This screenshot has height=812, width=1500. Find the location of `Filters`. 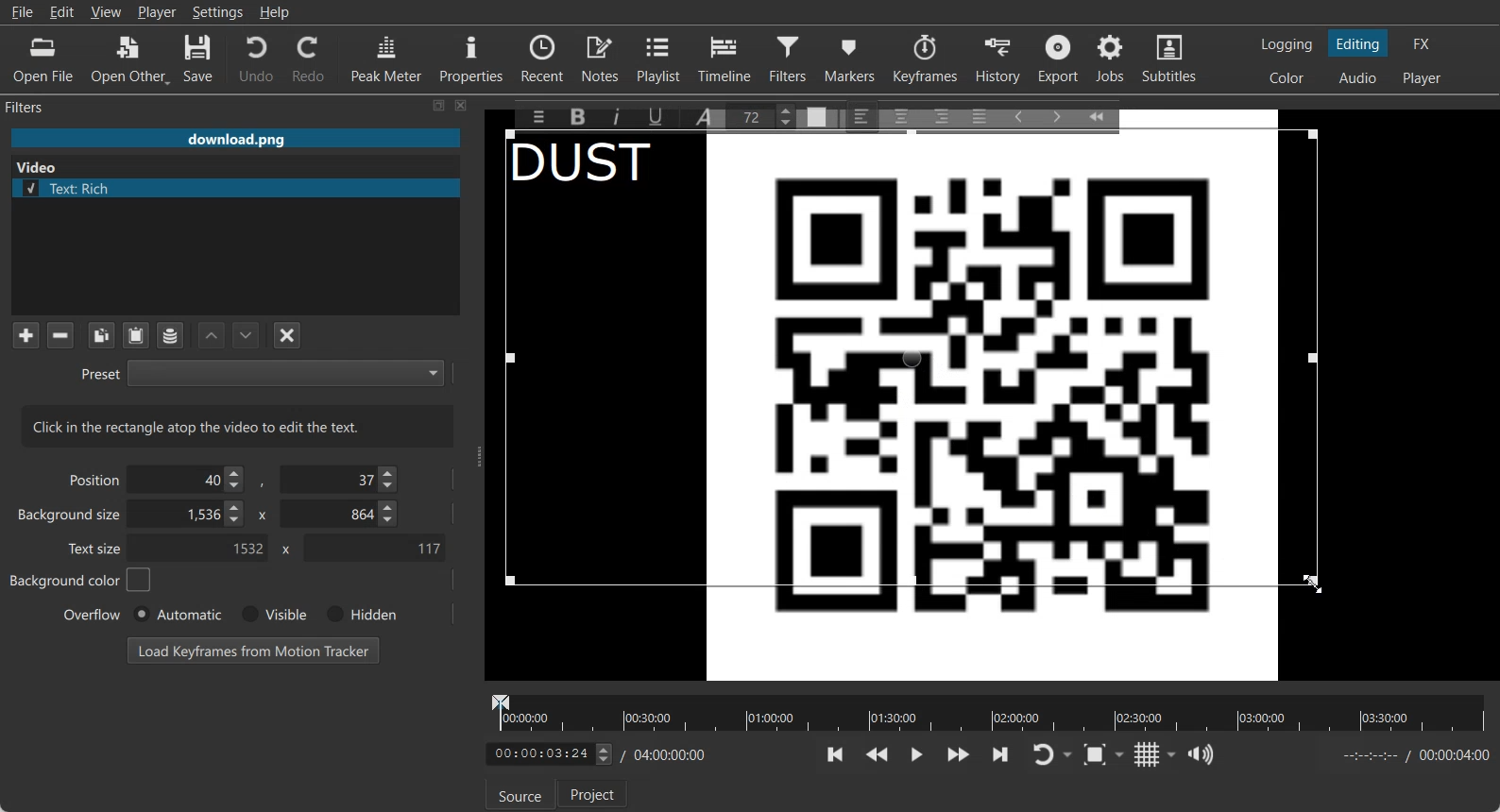

Filters is located at coordinates (43, 106).